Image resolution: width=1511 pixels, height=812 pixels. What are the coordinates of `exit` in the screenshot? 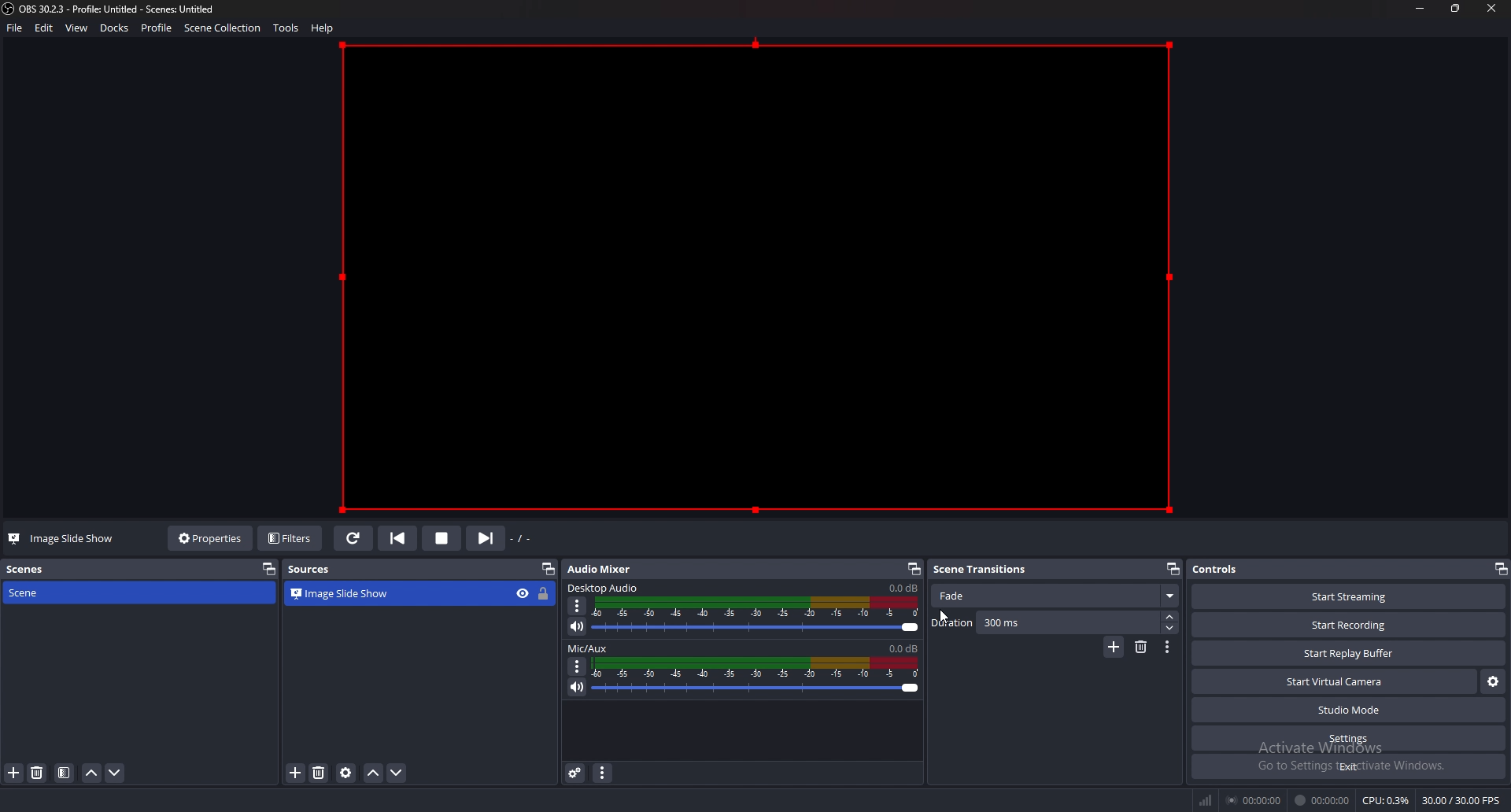 It's located at (1347, 766).